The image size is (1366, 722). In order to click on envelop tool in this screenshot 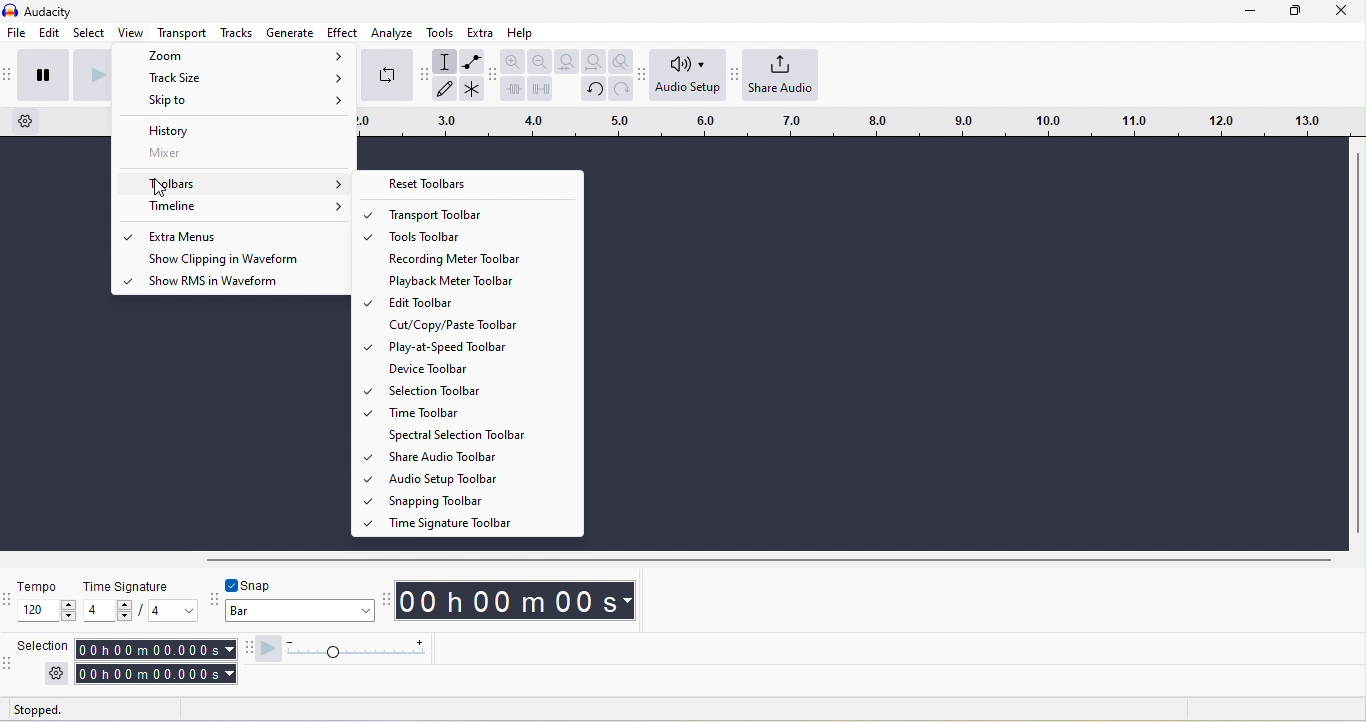, I will do `click(473, 61)`.